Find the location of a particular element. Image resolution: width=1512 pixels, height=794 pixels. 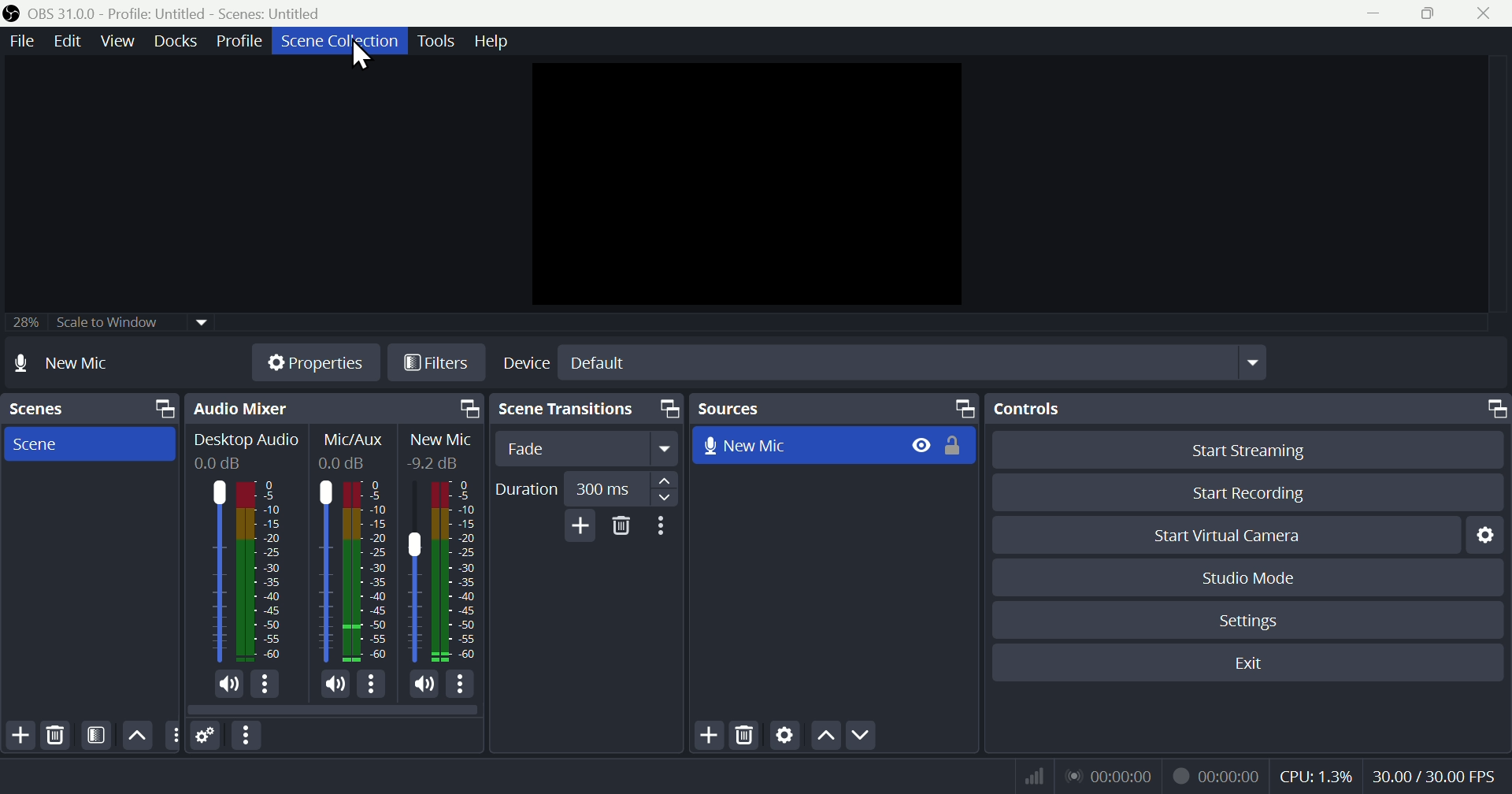

Bitrate is located at coordinates (1032, 775).